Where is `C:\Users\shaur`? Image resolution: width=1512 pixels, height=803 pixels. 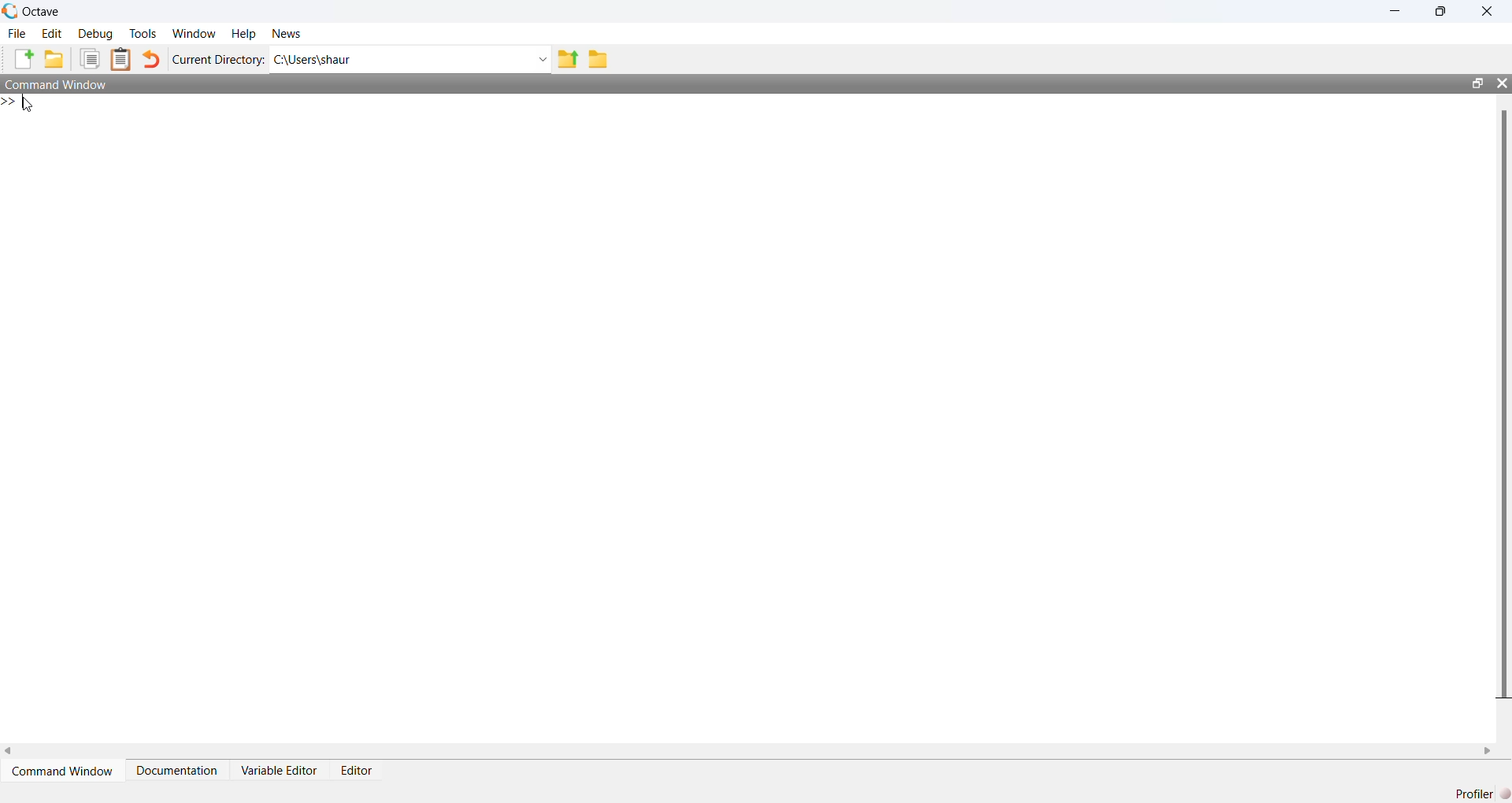 C:\Users\shaur is located at coordinates (313, 60).